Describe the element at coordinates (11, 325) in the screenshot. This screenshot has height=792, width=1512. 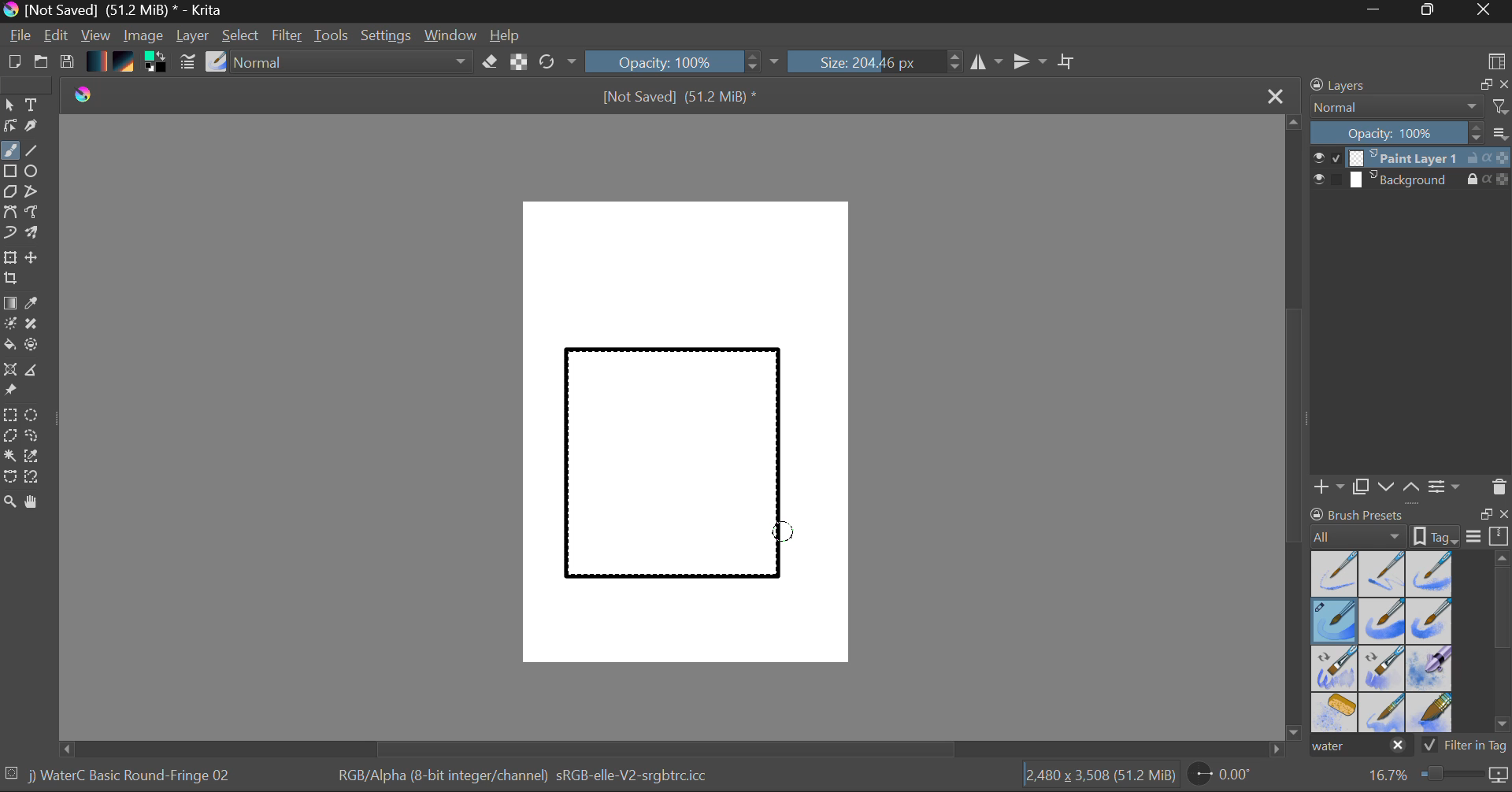
I see `Colorize Mask Tool` at that location.